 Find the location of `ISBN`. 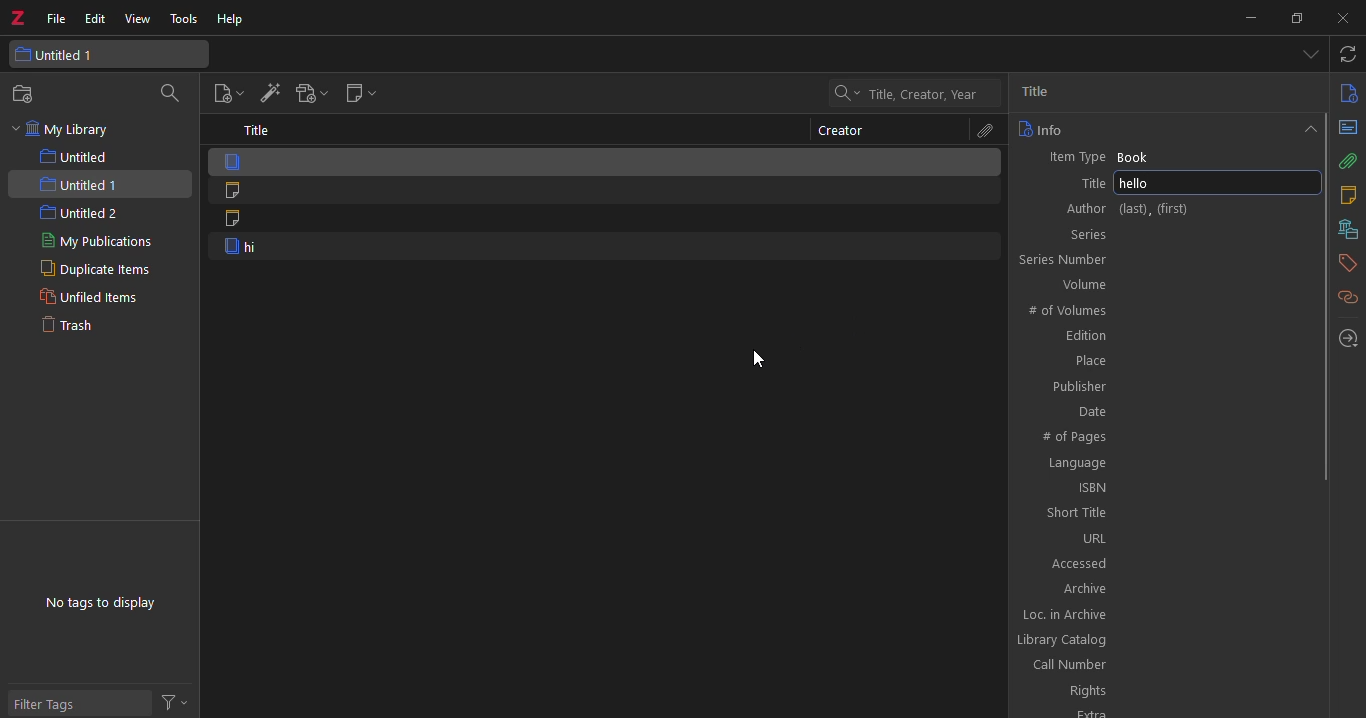

ISBN is located at coordinates (1167, 486).